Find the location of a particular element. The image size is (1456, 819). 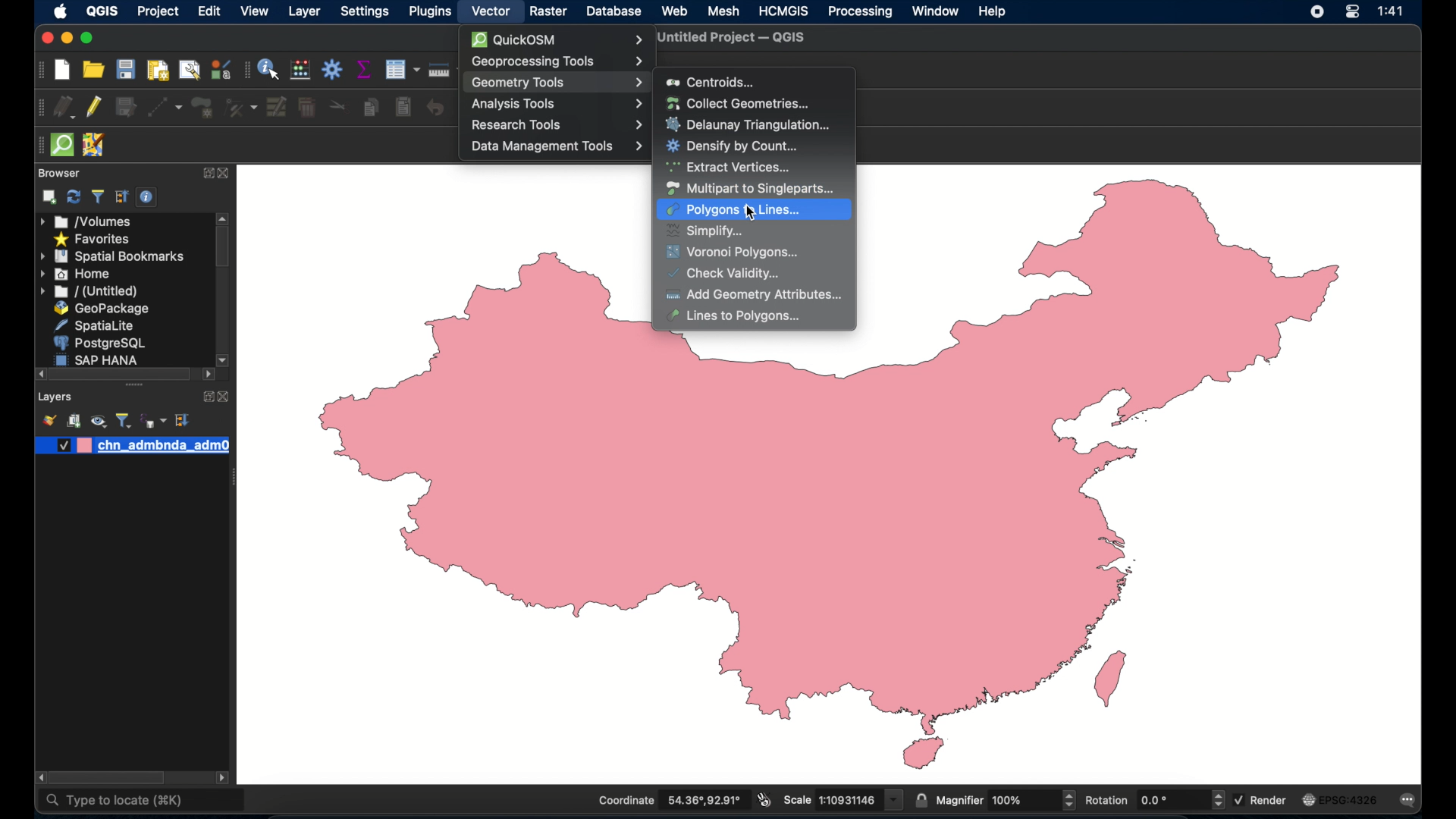

mesh is located at coordinates (724, 11).